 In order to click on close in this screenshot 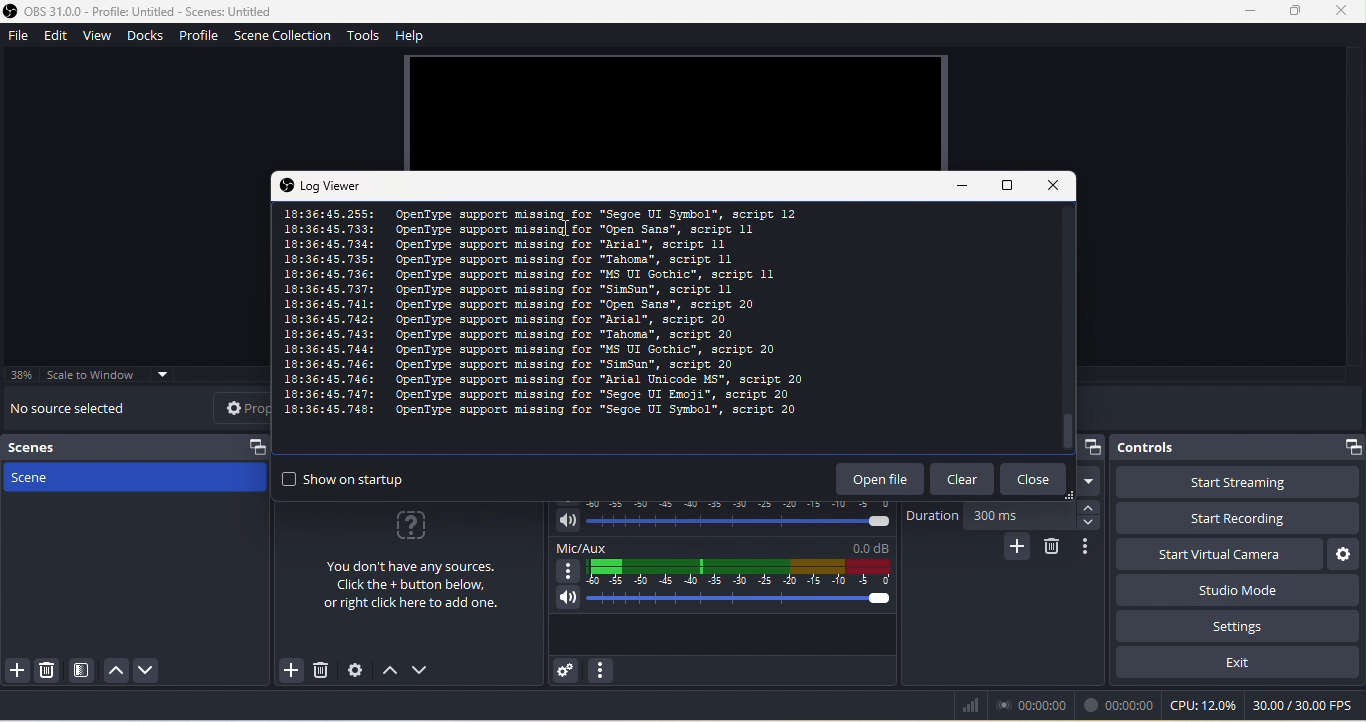, I will do `click(1034, 477)`.